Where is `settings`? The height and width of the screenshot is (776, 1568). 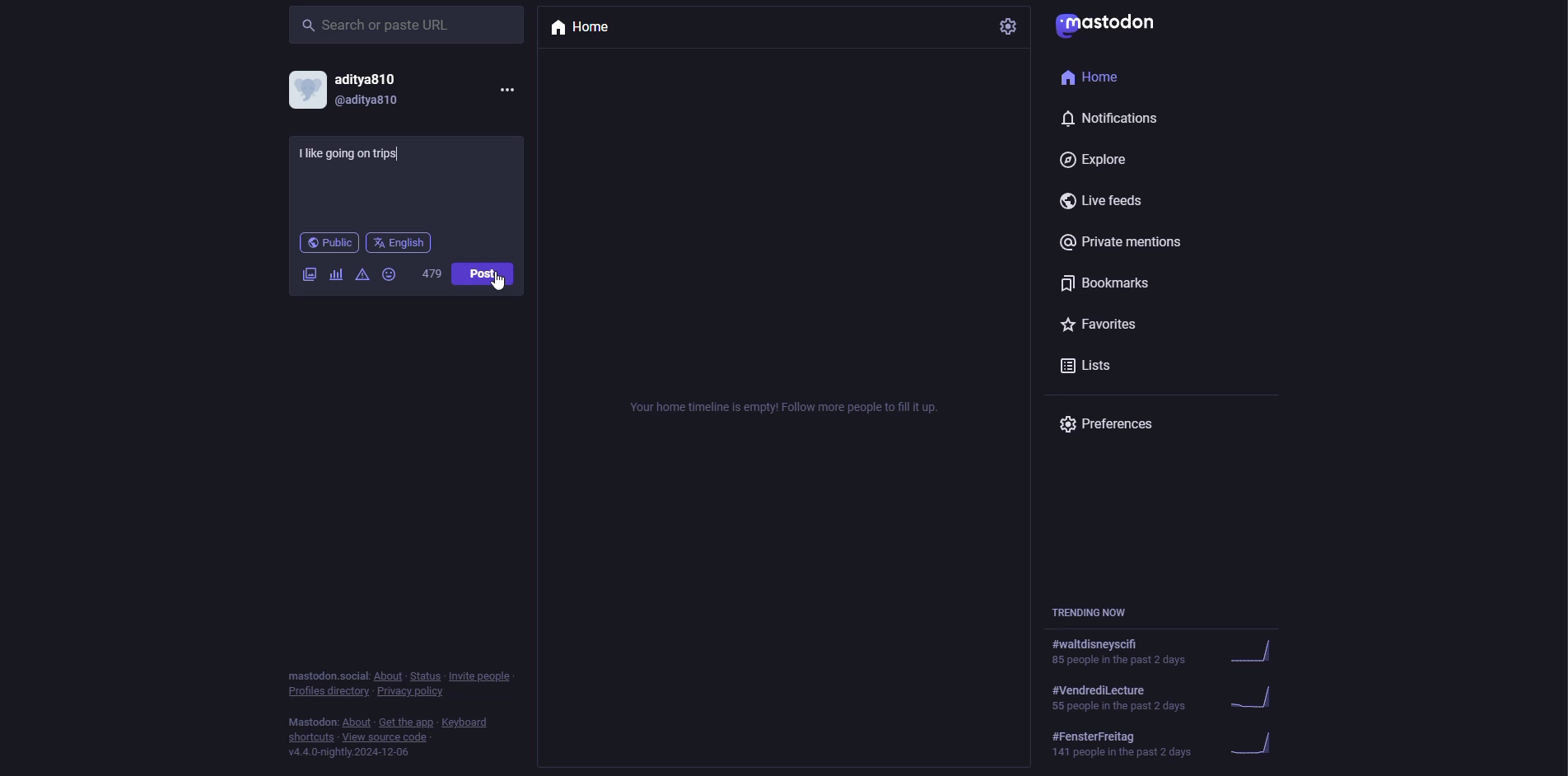 settings is located at coordinates (1010, 26).